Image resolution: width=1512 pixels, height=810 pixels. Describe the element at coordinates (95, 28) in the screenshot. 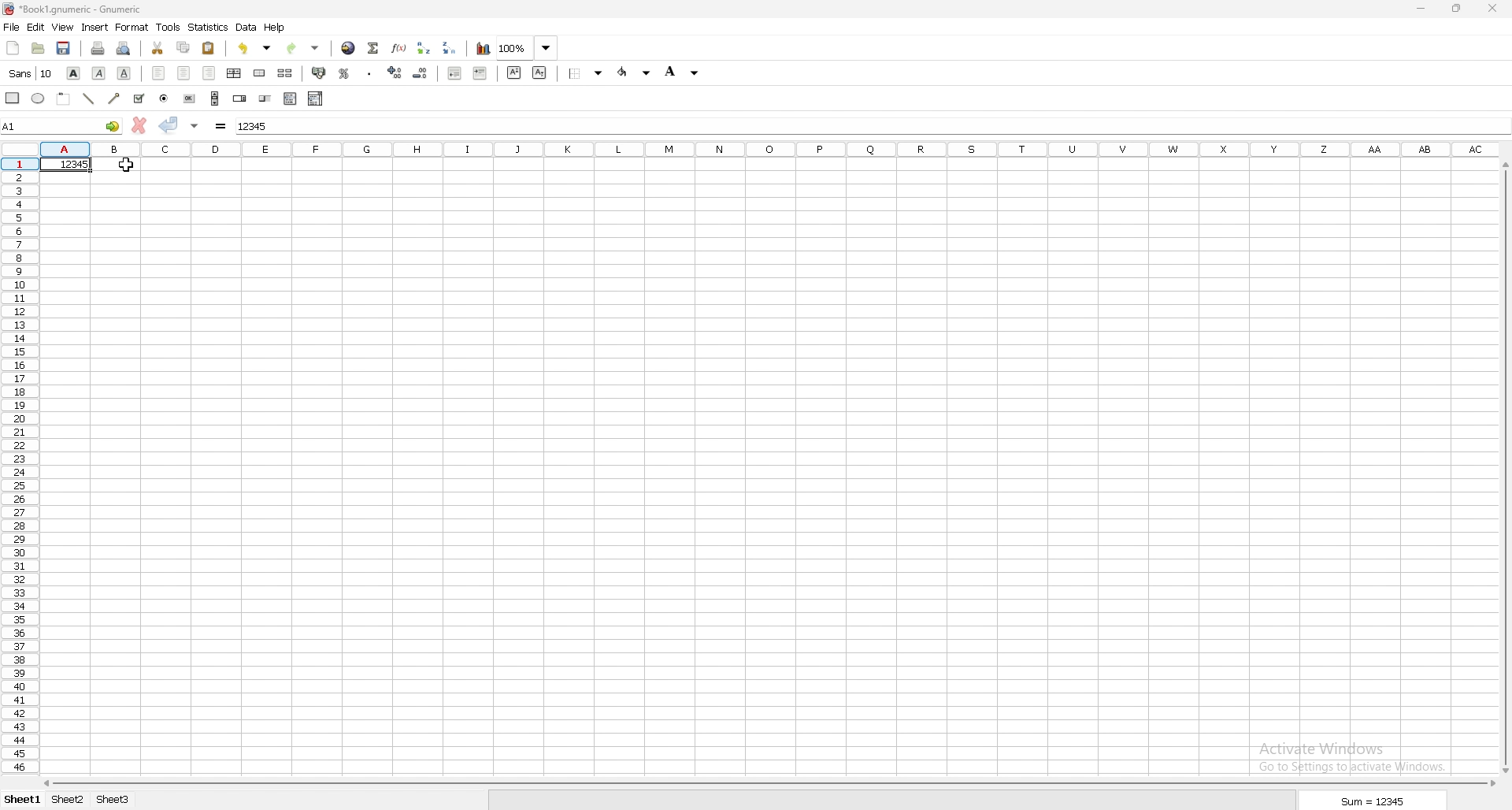

I see `insert` at that location.